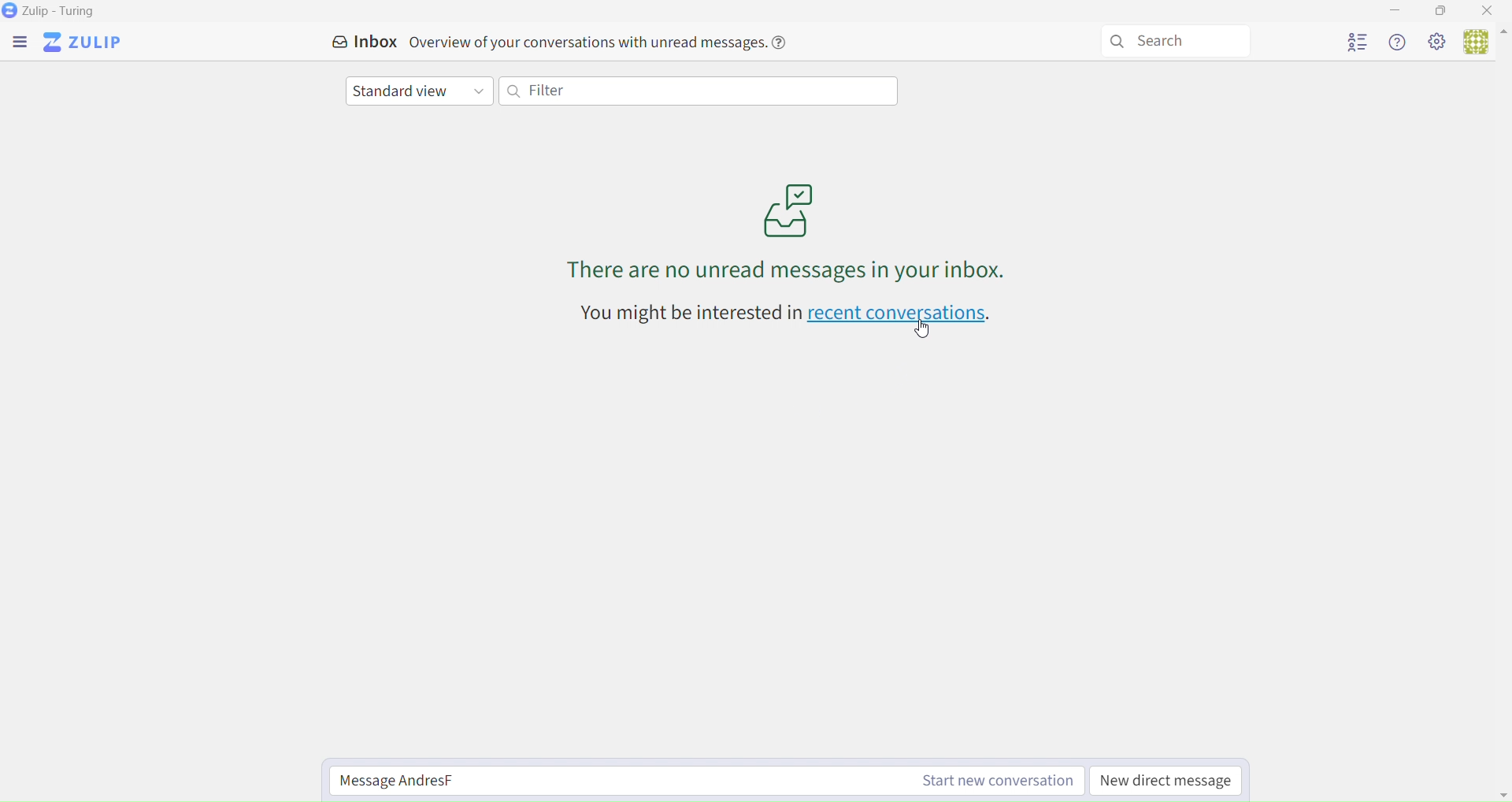  I want to click on Minimize, so click(1392, 12).